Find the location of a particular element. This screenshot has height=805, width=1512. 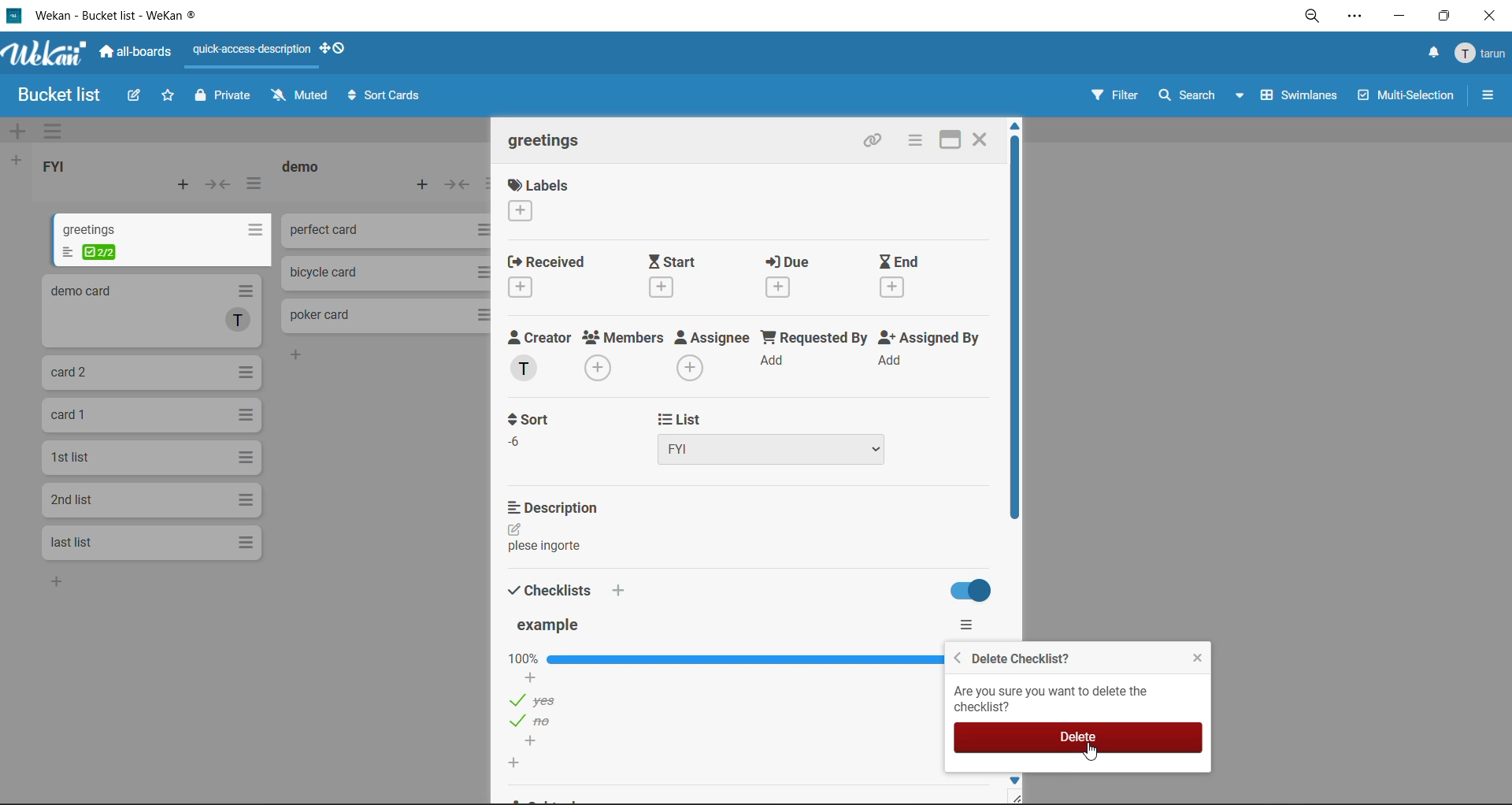

checklist title is located at coordinates (546, 626).